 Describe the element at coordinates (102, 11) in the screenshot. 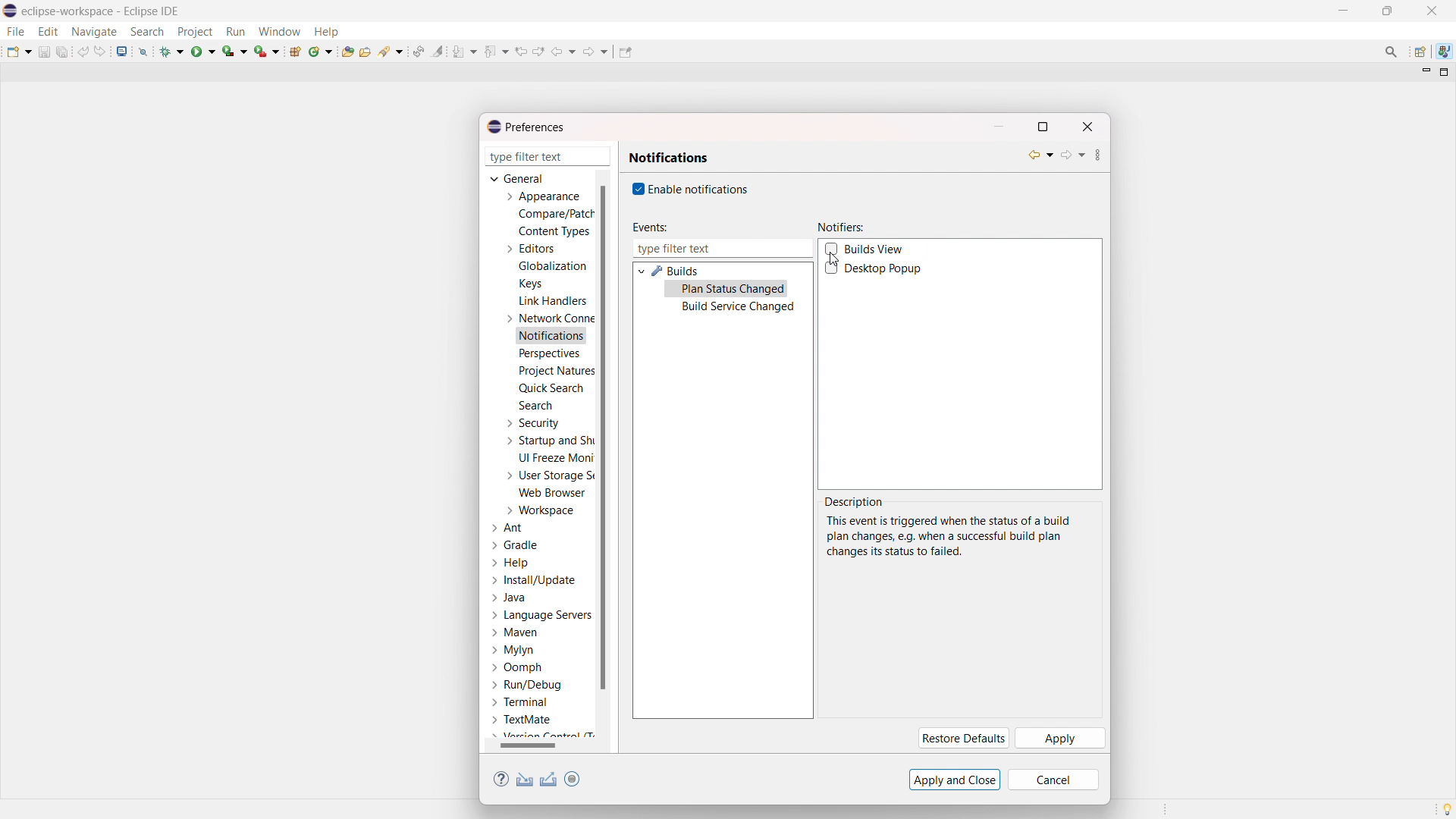

I see `title` at that location.